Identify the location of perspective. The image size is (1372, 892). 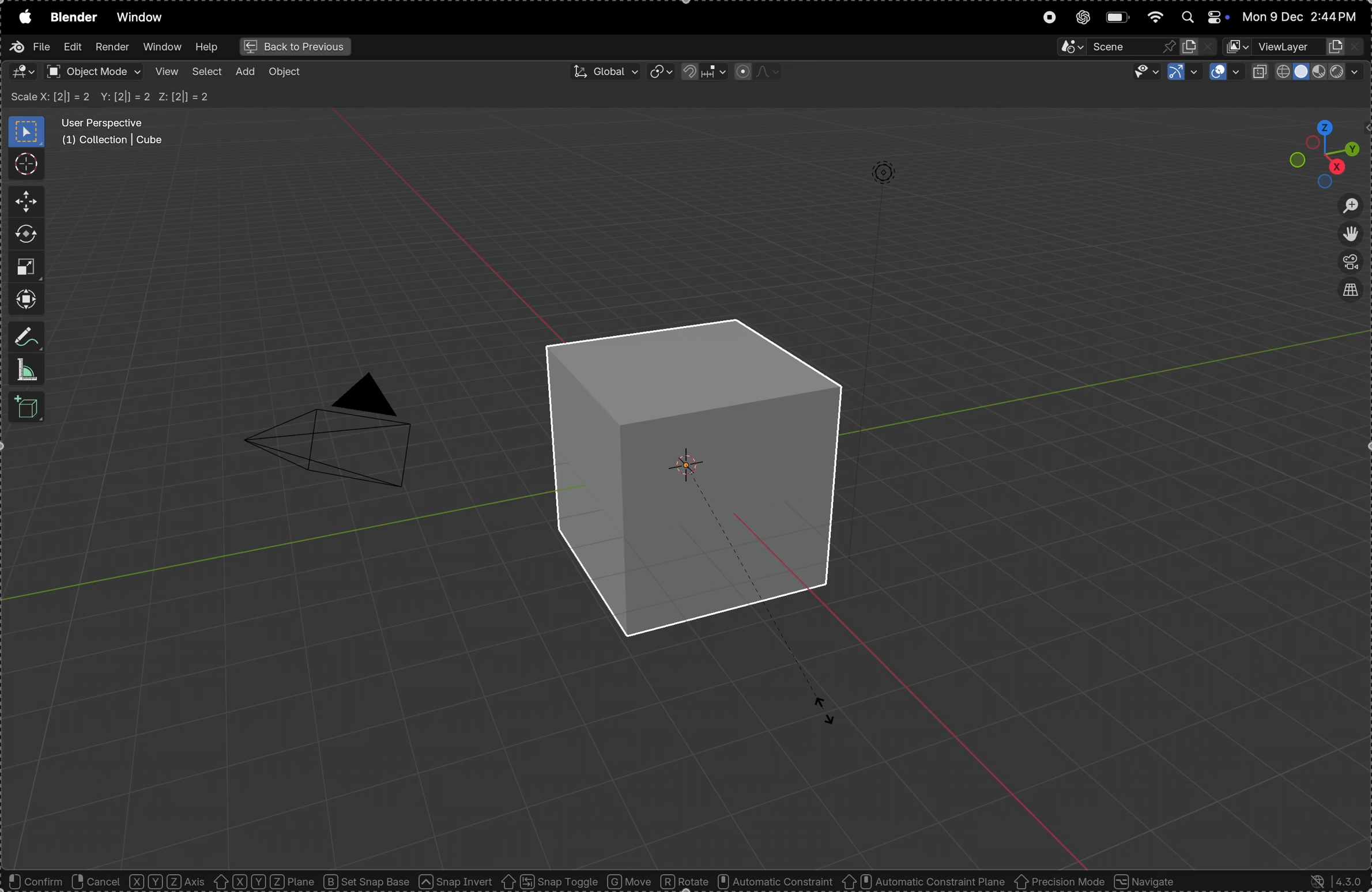
(1353, 263).